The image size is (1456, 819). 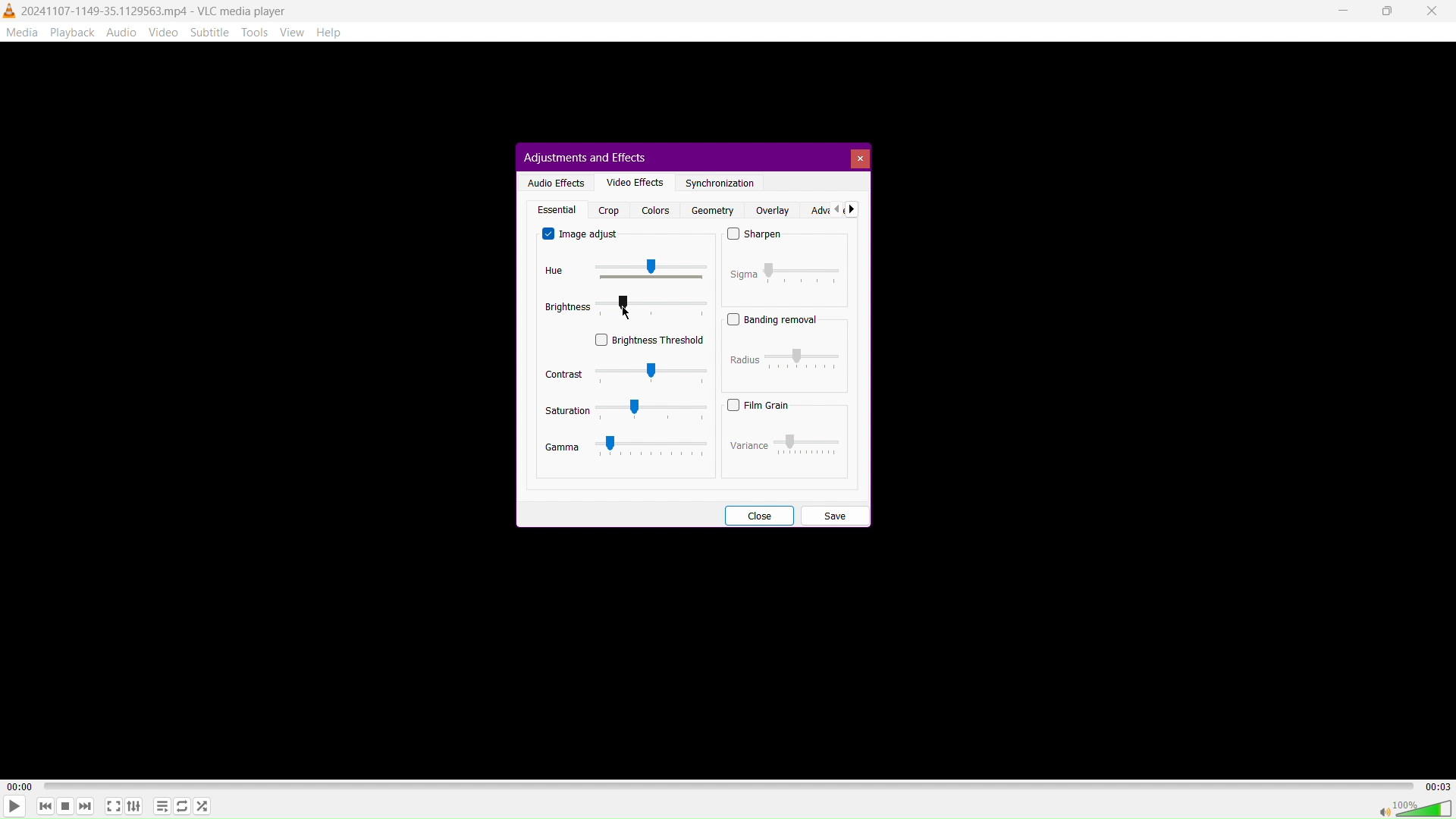 I want to click on Hue, so click(x=619, y=271).